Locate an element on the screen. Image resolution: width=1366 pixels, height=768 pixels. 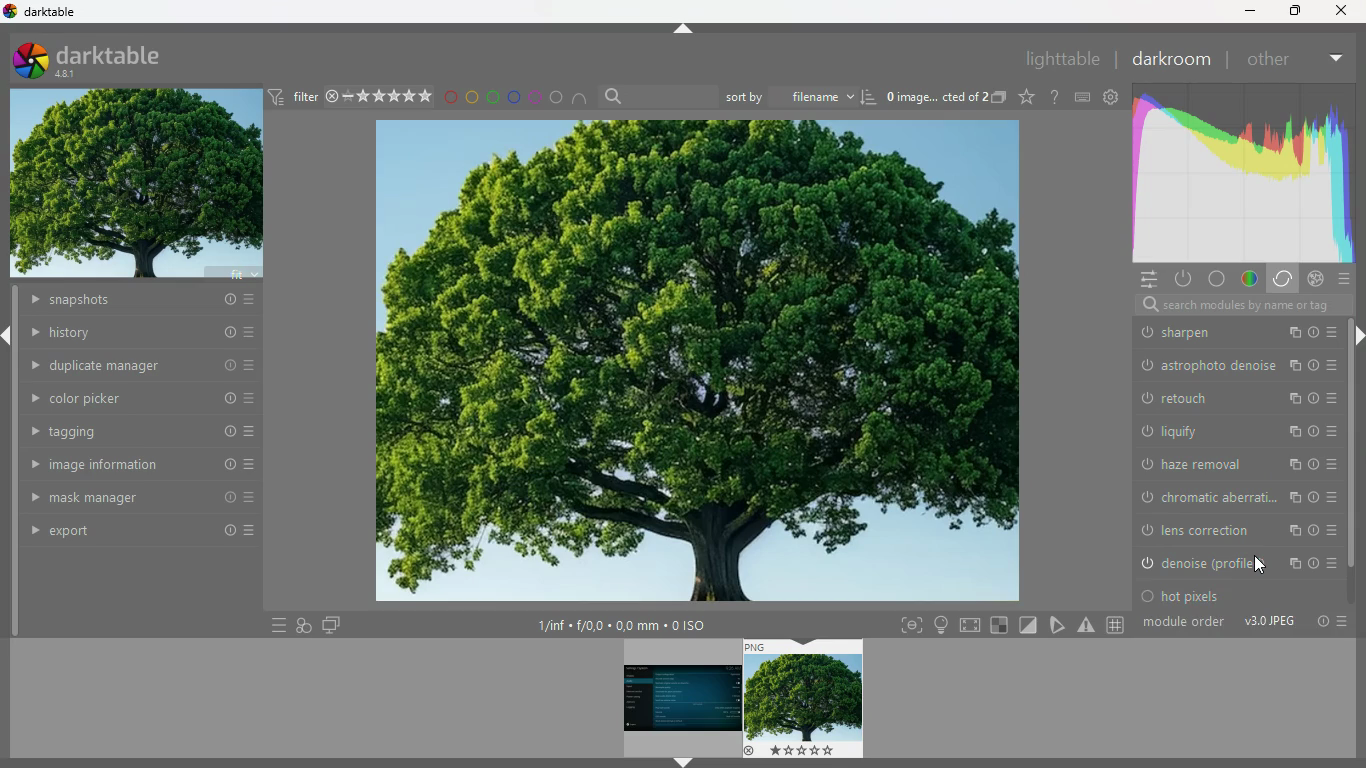
global chroma is located at coordinates (1232, 592).